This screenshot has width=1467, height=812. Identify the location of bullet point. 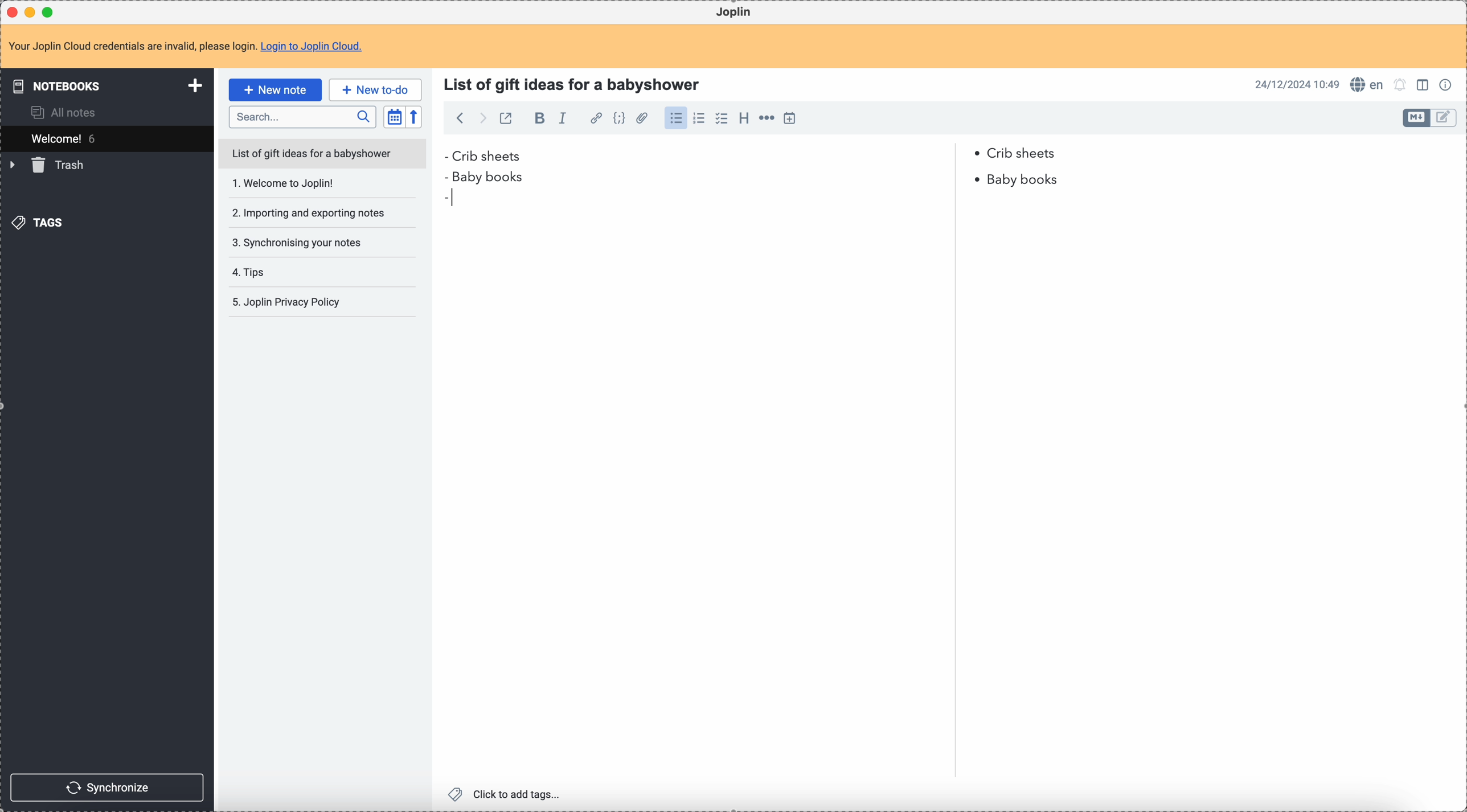
(454, 197).